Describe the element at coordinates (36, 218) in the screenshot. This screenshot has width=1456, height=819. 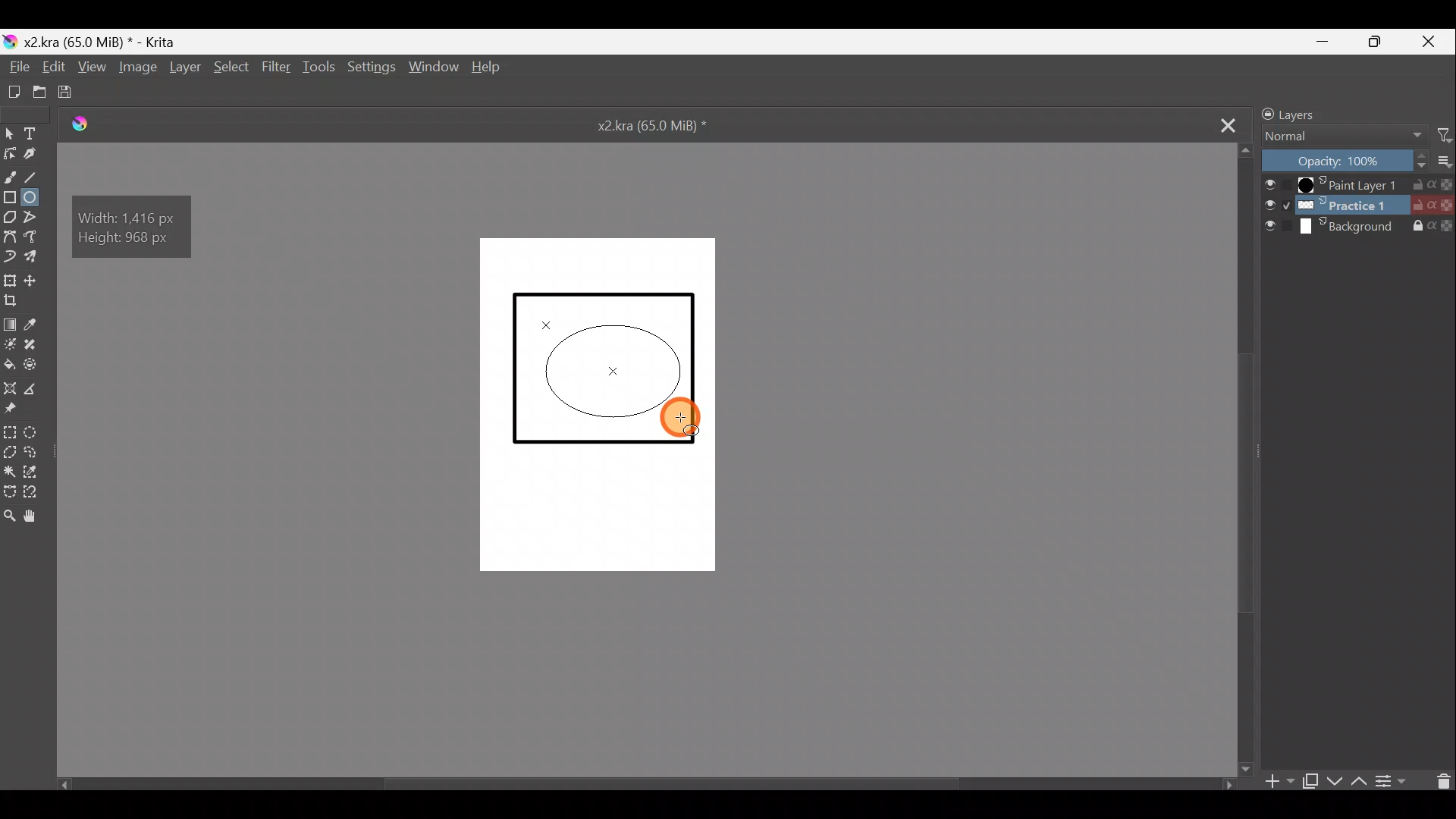
I see `Polyline tool` at that location.